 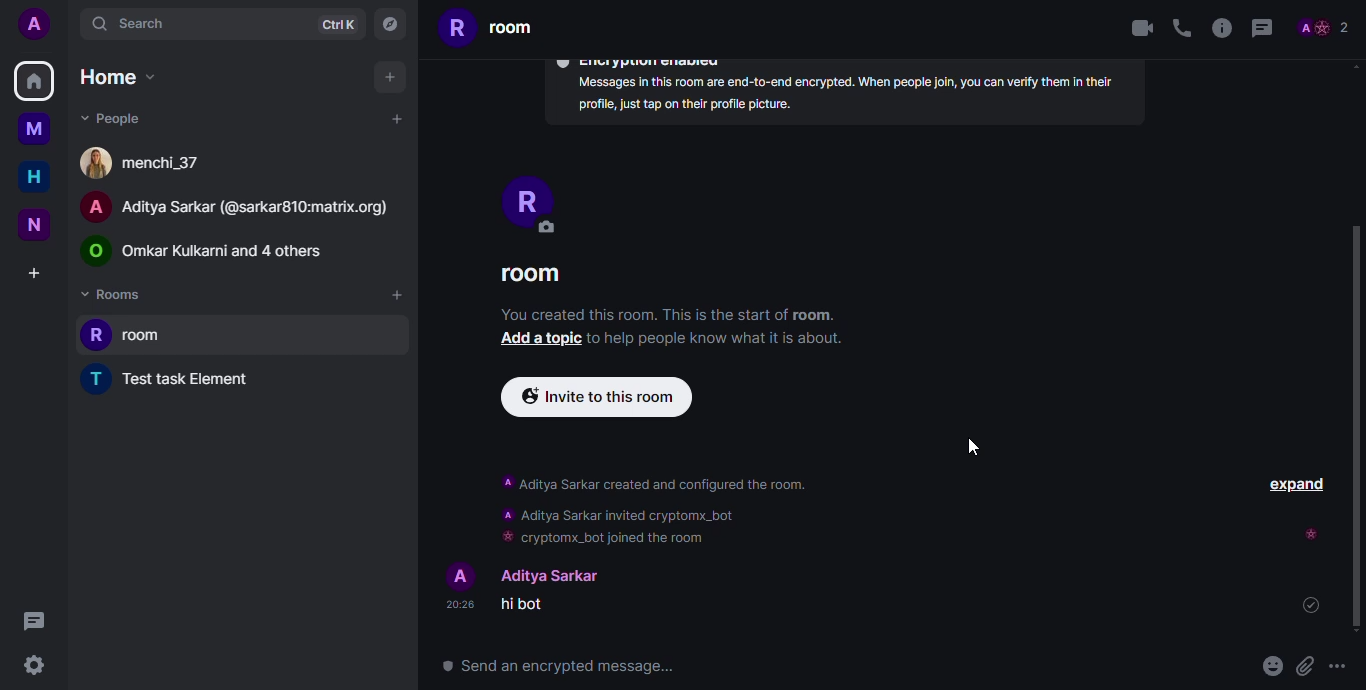 What do you see at coordinates (398, 119) in the screenshot?
I see `add` at bounding box center [398, 119].